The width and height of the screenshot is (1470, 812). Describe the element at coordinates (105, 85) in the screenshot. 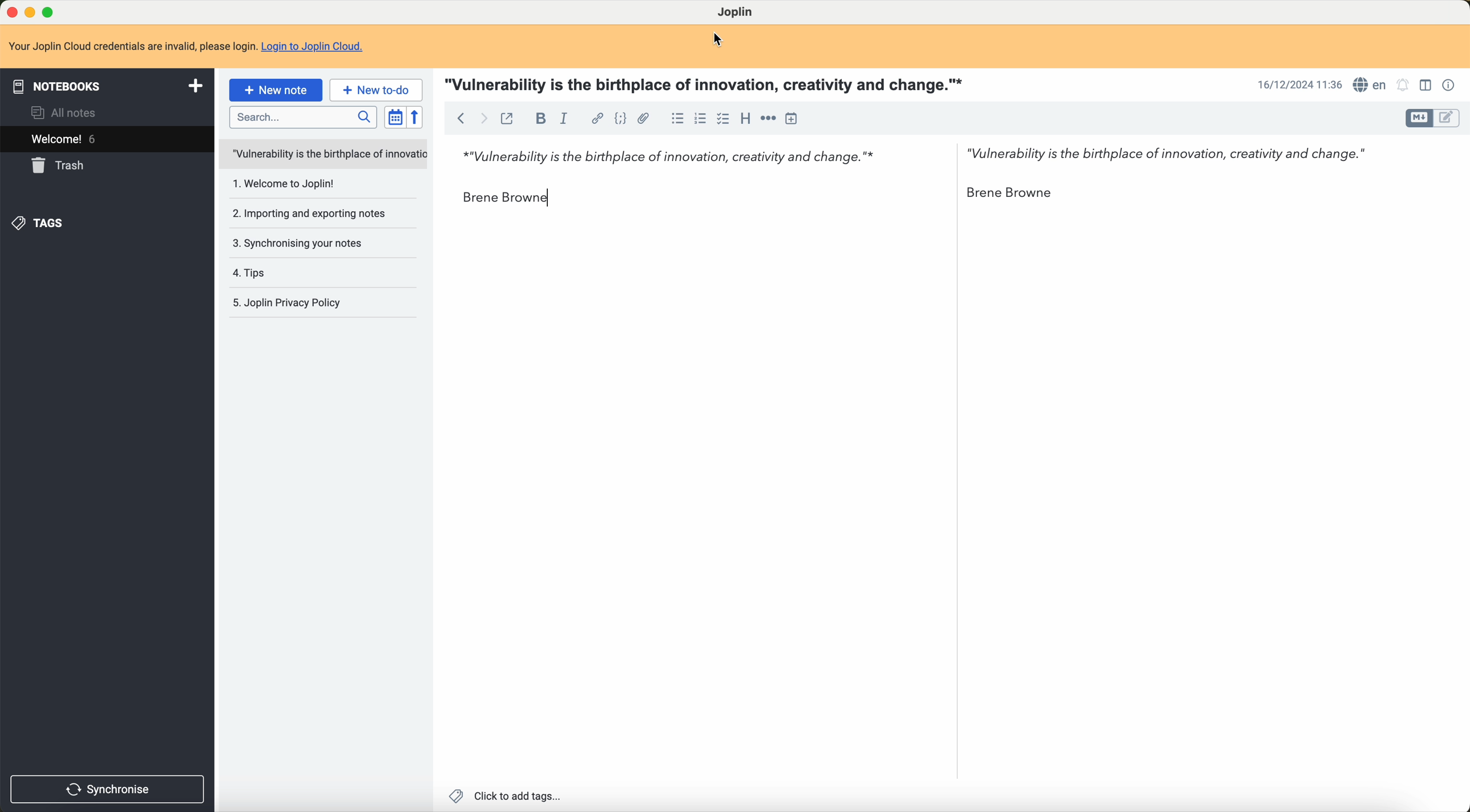

I see `notebooks` at that location.